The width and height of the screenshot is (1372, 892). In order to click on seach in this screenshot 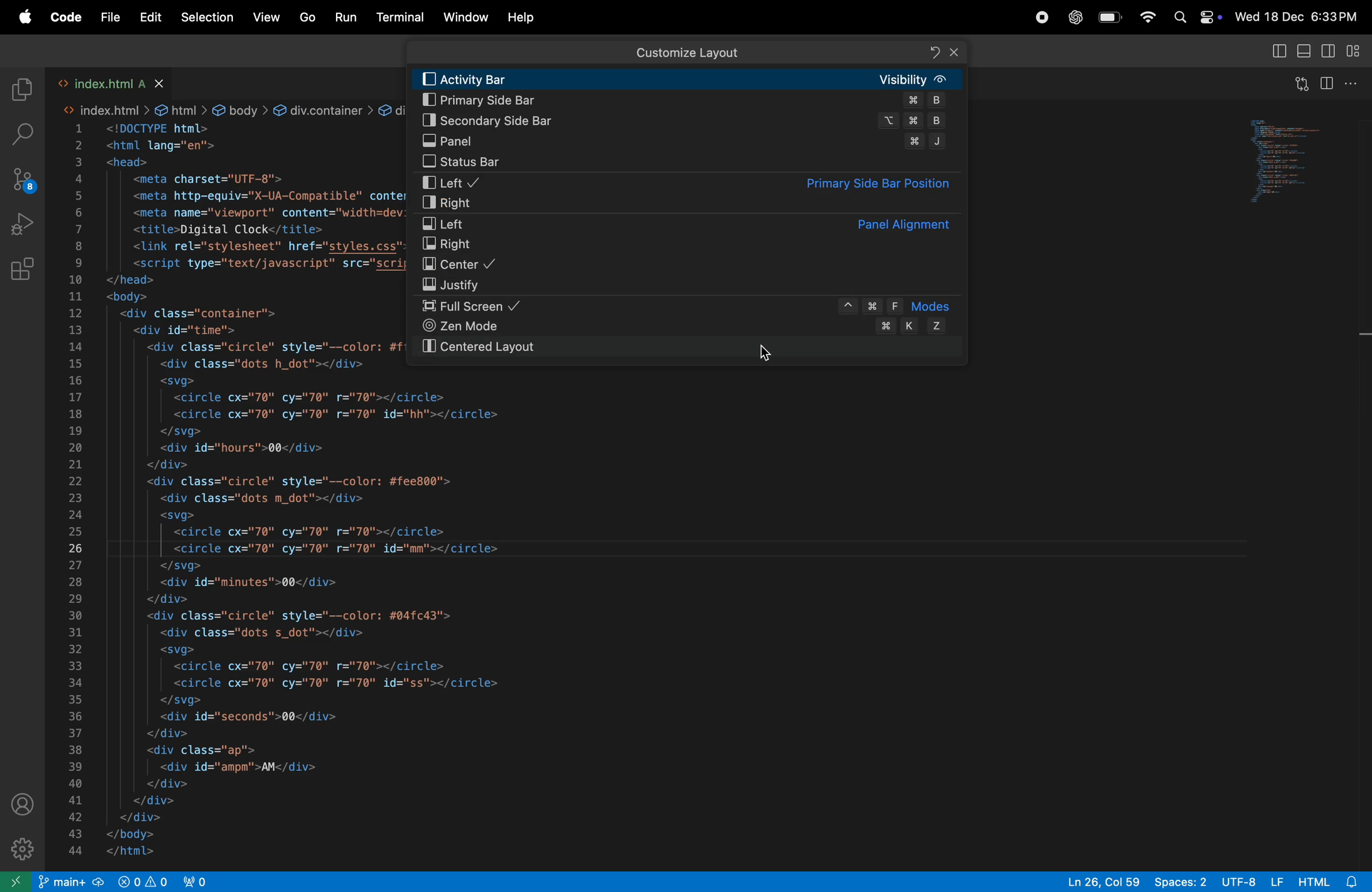, I will do `click(22, 134)`.